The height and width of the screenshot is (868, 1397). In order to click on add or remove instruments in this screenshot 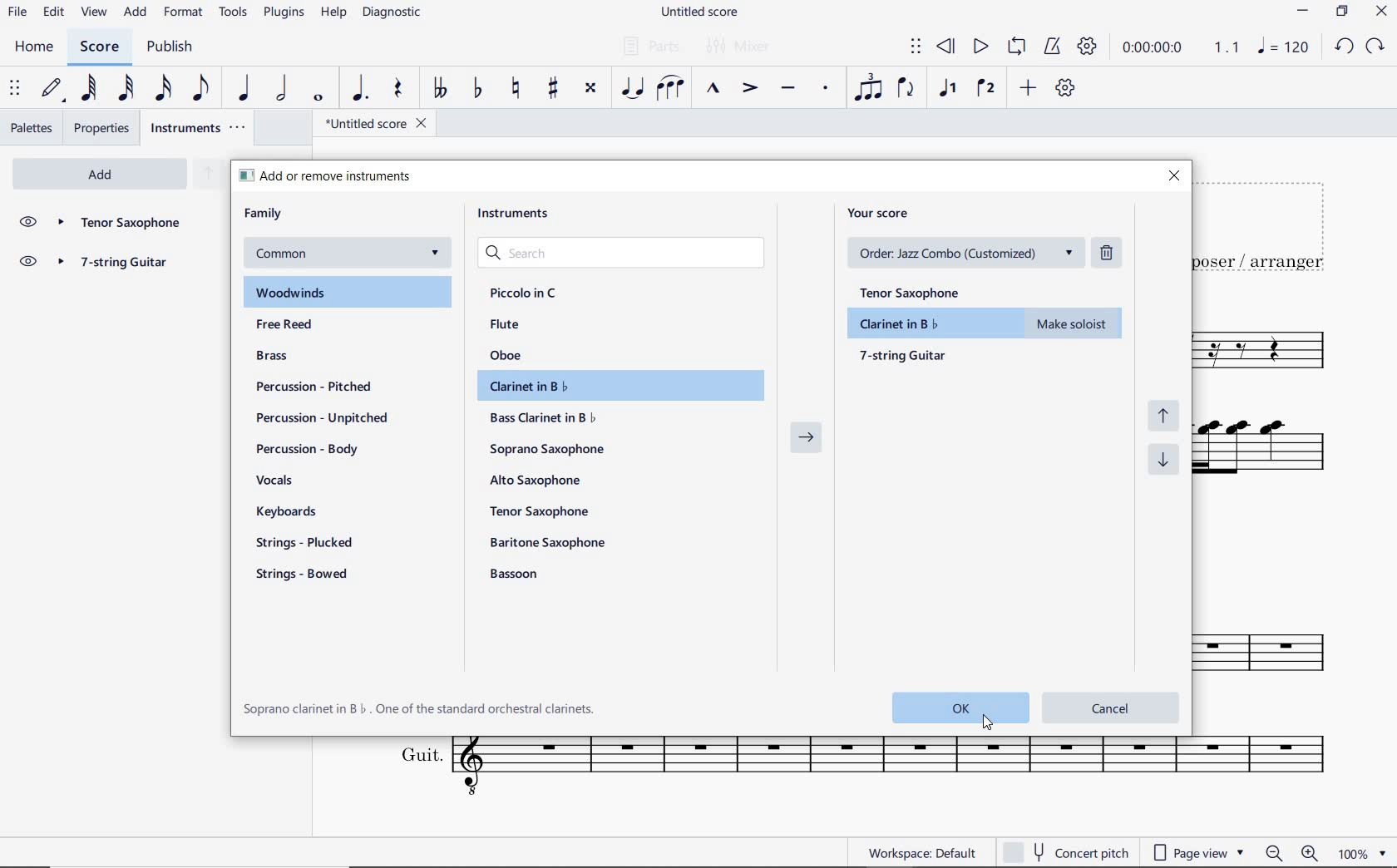, I will do `click(346, 175)`.